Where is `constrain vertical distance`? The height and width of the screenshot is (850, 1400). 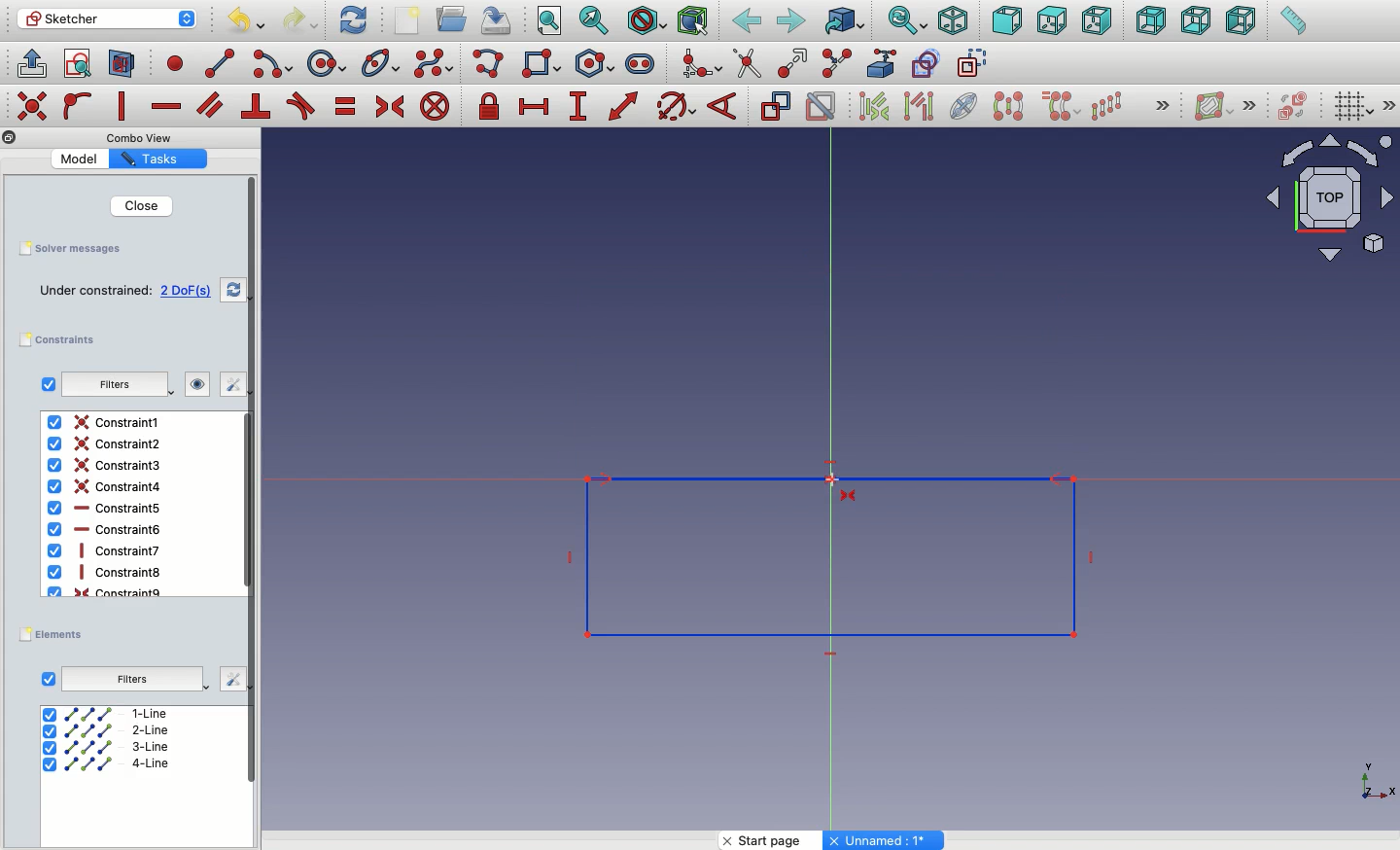
constrain vertical distance is located at coordinates (581, 108).